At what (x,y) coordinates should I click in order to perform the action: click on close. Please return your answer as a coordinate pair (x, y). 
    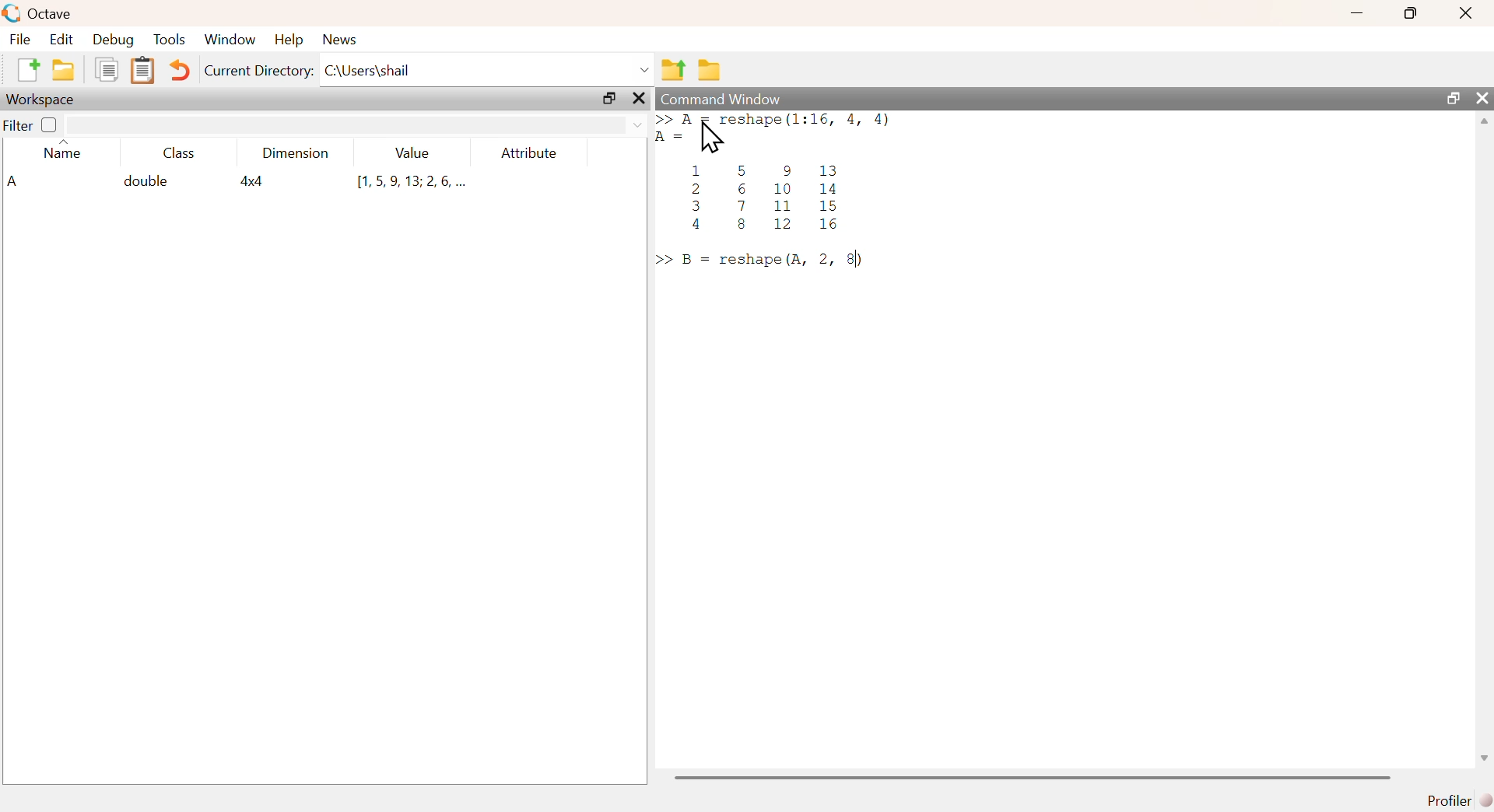
    Looking at the image, I should click on (1464, 15).